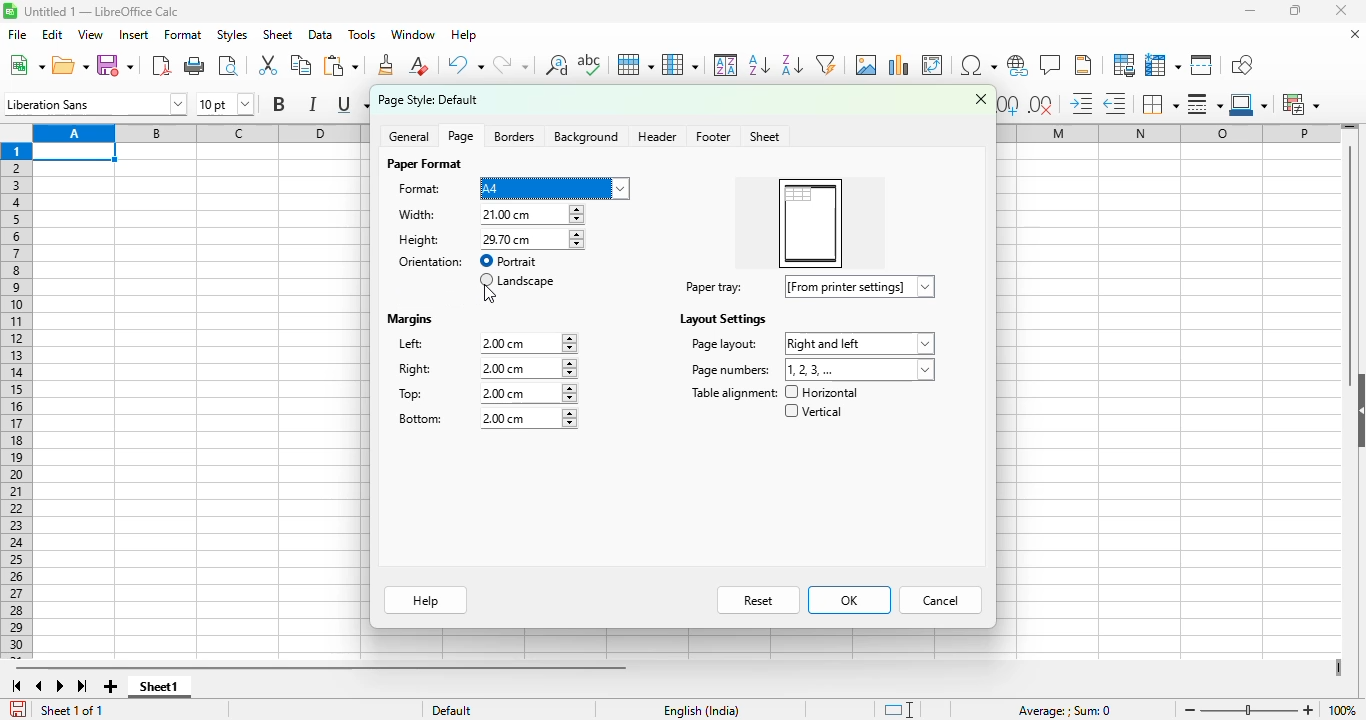 The height and width of the screenshot is (720, 1366). What do you see at coordinates (427, 600) in the screenshot?
I see `help` at bounding box center [427, 600].